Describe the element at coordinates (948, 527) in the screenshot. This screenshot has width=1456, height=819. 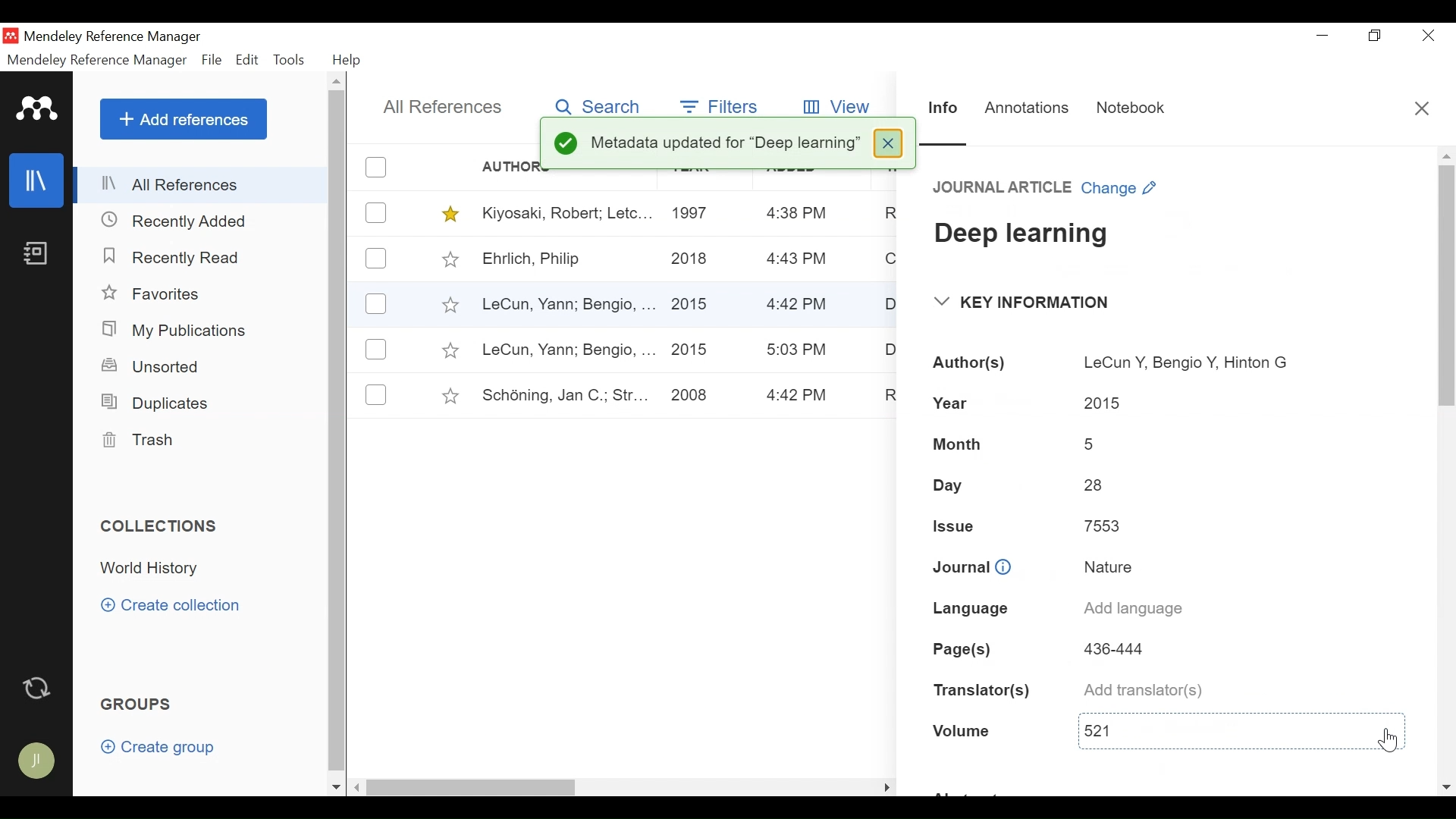
I see `Issue` at that location.